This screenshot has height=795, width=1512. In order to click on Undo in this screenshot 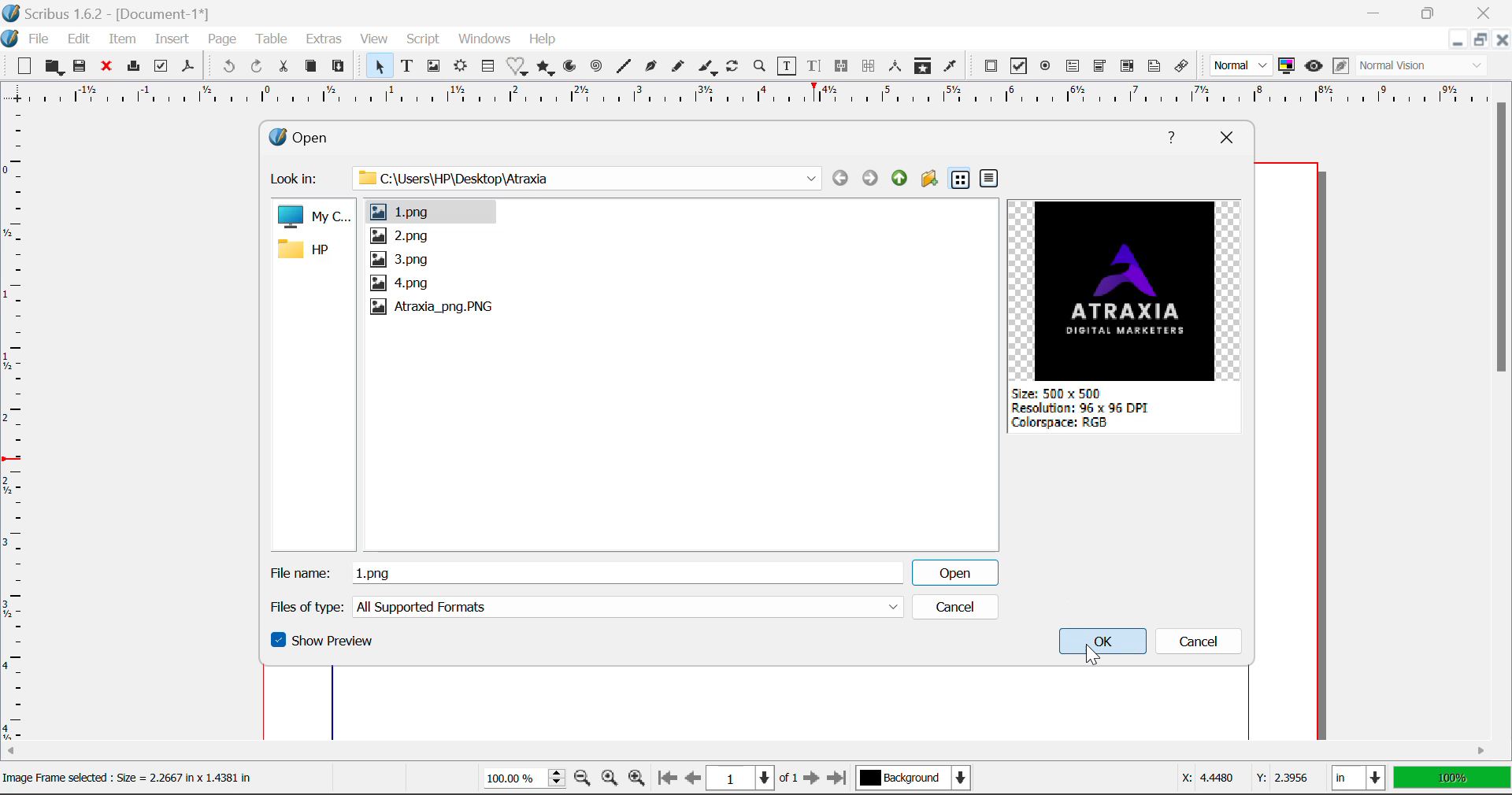, I will do `click(226, 67)`.